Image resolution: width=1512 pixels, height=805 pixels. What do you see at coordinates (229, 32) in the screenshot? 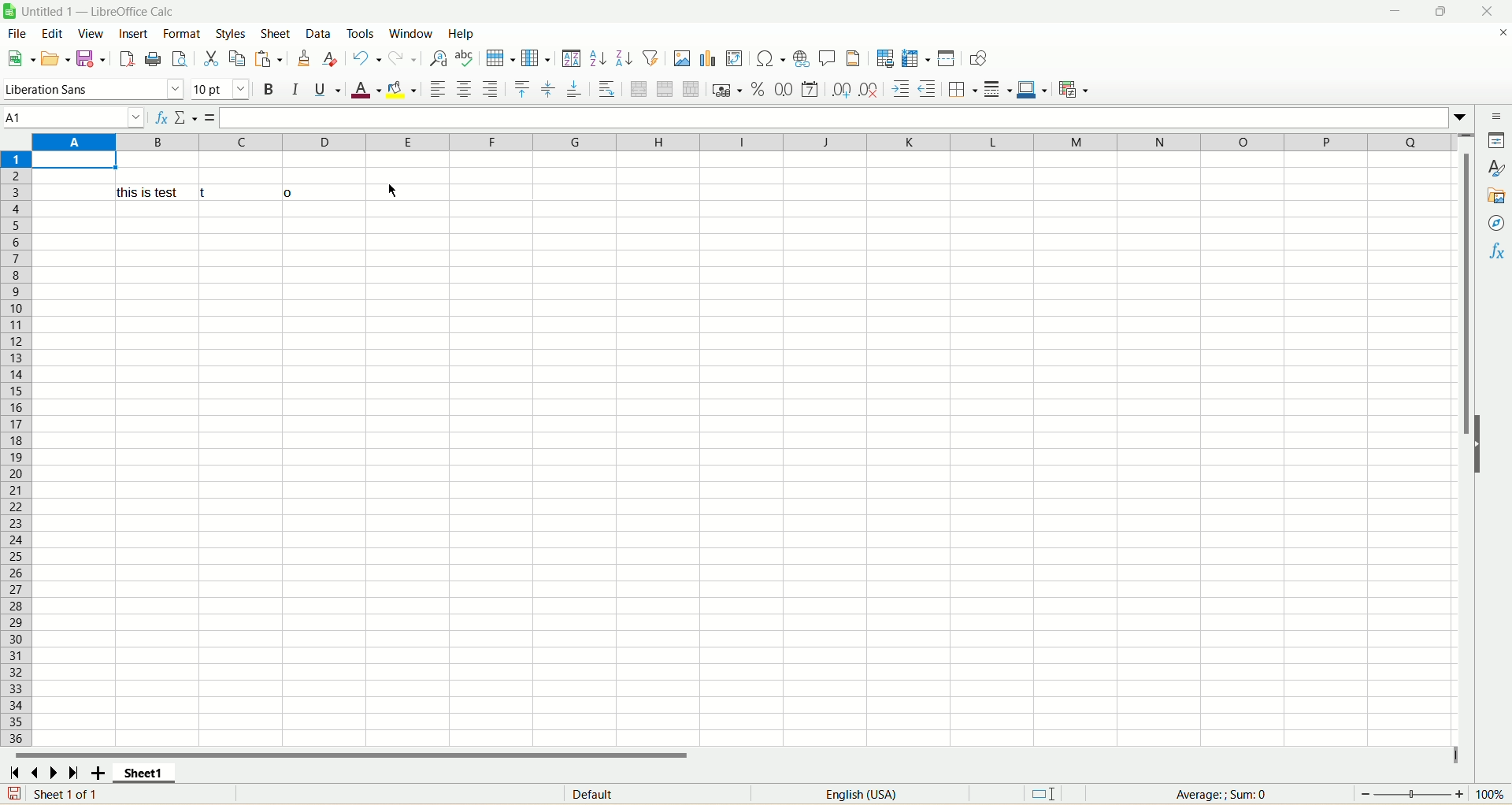
I see `styles` at bounding box center [229, 32].